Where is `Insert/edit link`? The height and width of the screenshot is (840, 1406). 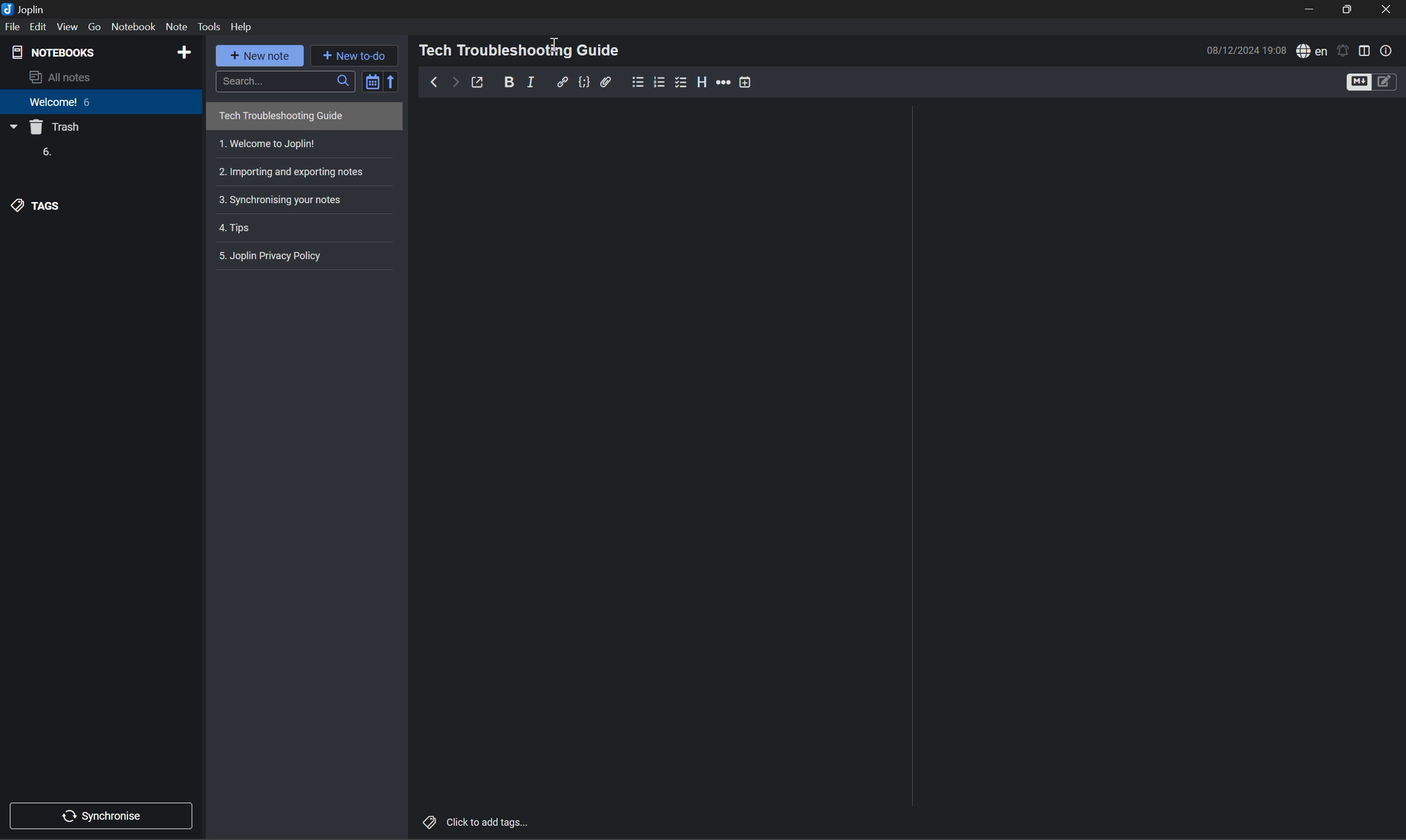
Insert/edit link is located at coordinates (562, 81).